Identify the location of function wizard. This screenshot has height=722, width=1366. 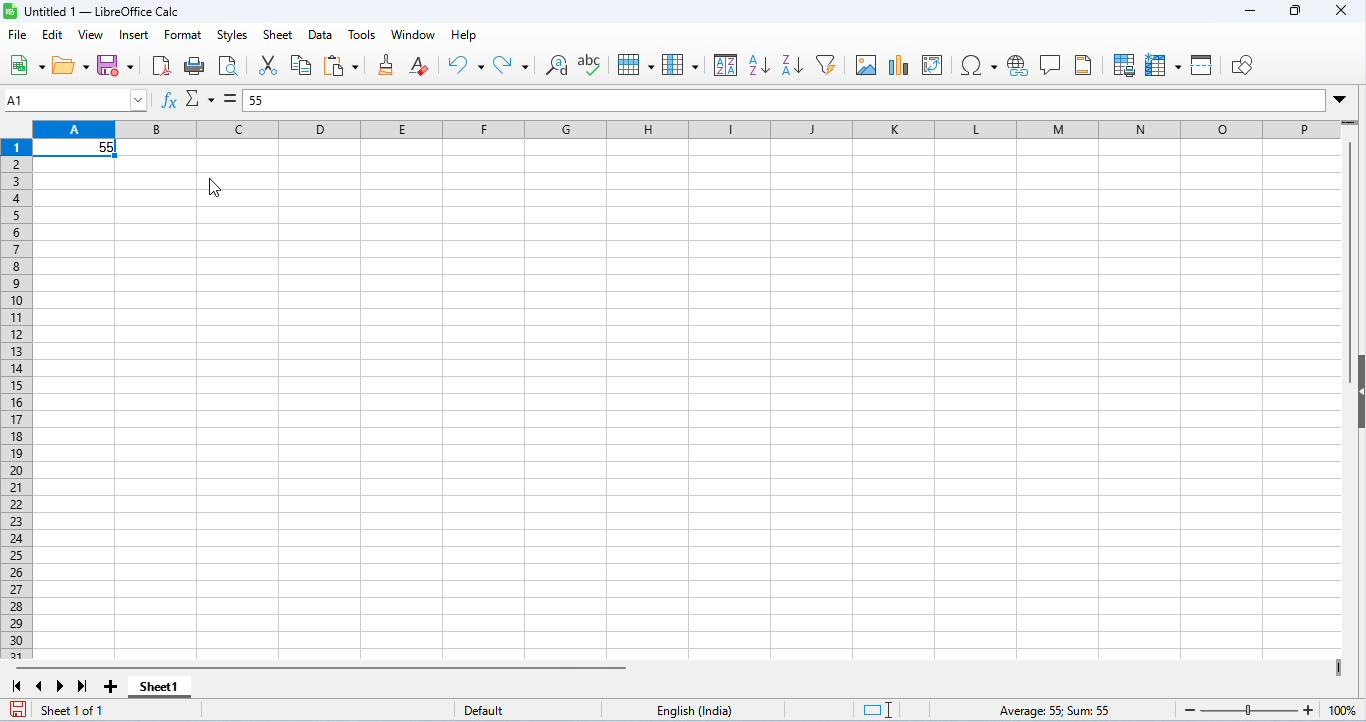
(171, 101).